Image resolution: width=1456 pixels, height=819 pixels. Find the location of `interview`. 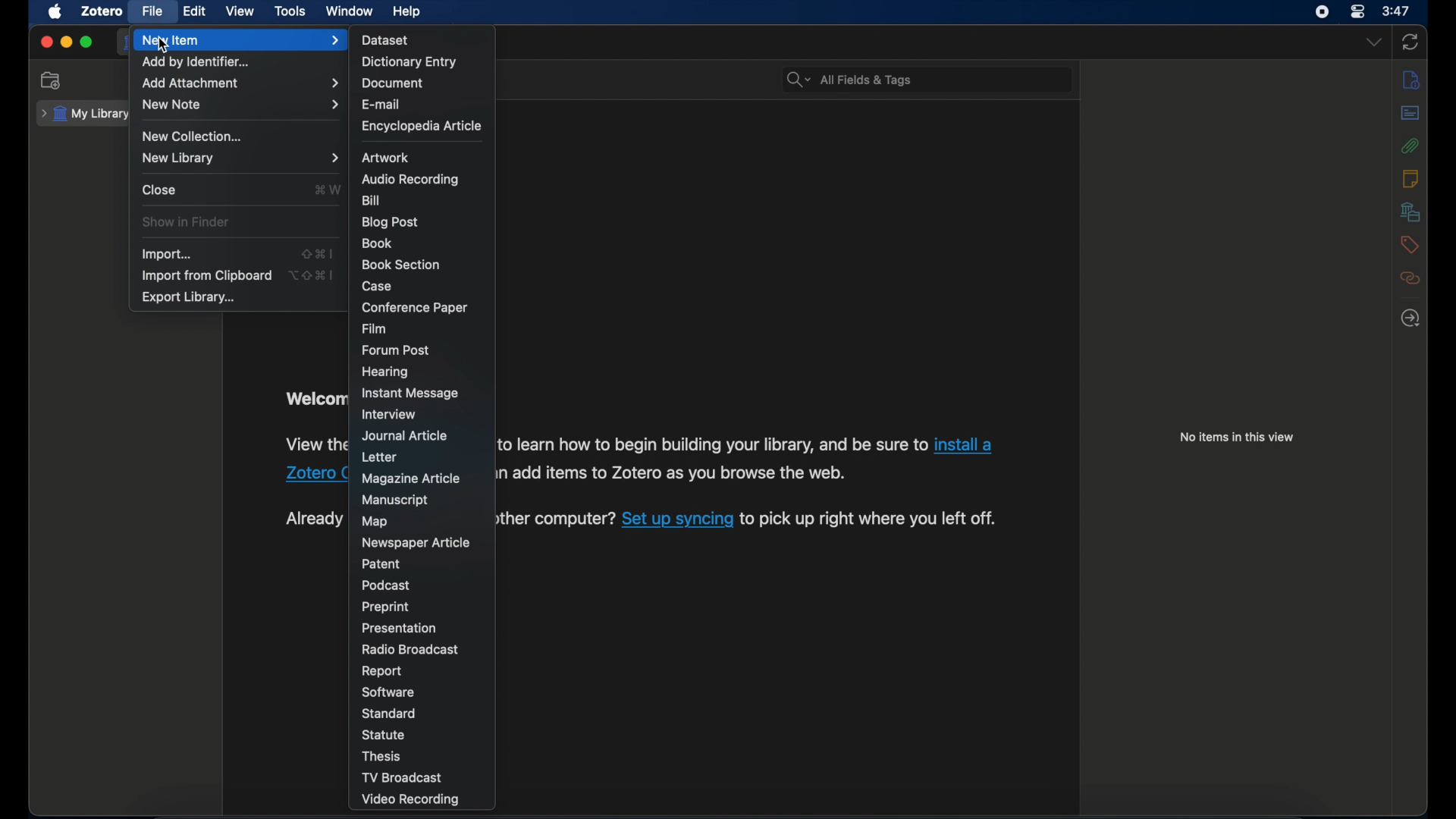

interview is located at coordinates (388, 414).